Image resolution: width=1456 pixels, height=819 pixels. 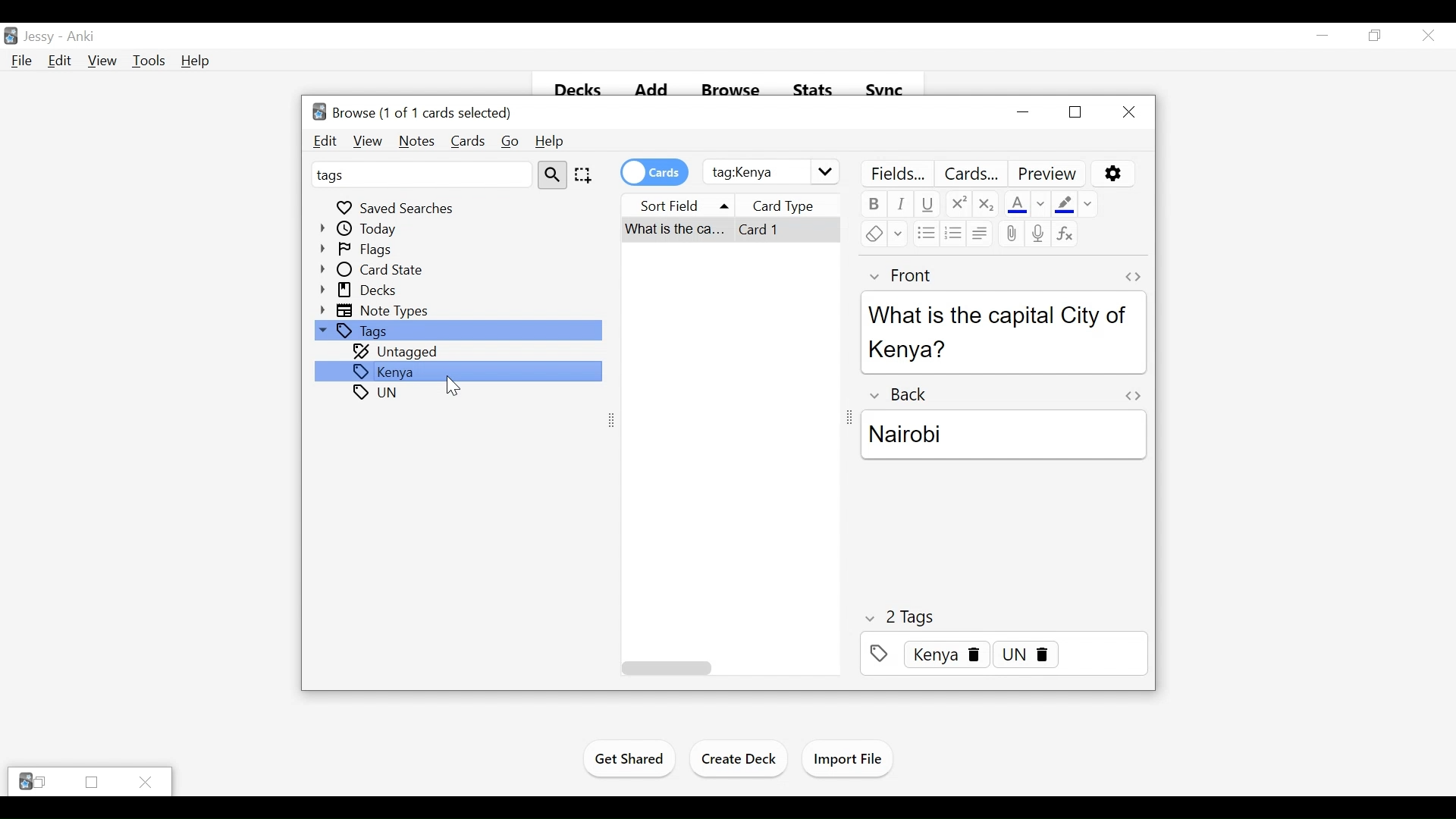 What do you see at coordinates (420, 174) in the screenshot?
I see `tags` at bounding box center [420, 174].